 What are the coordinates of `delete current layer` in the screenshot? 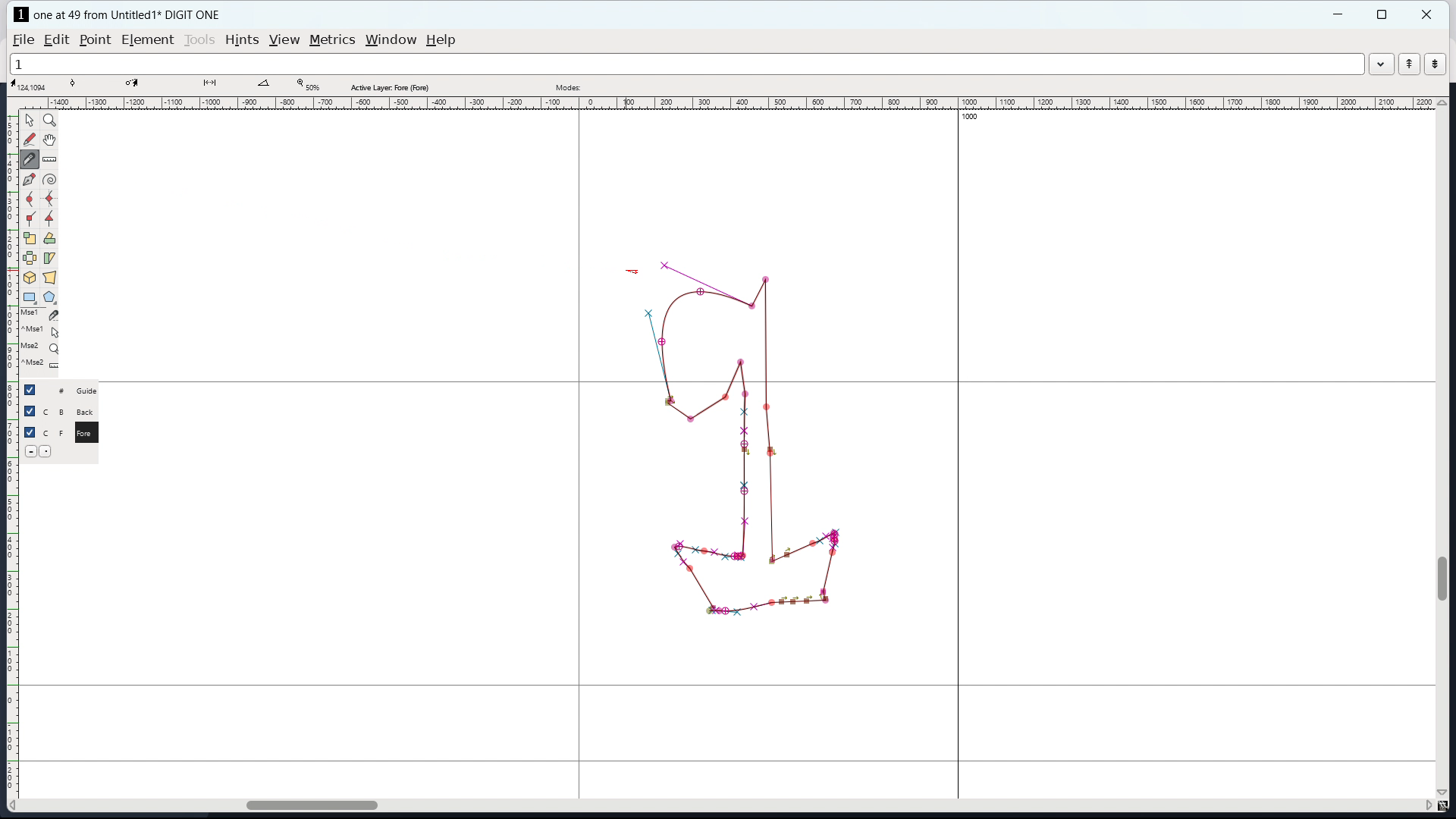 It's located at (30, 450).